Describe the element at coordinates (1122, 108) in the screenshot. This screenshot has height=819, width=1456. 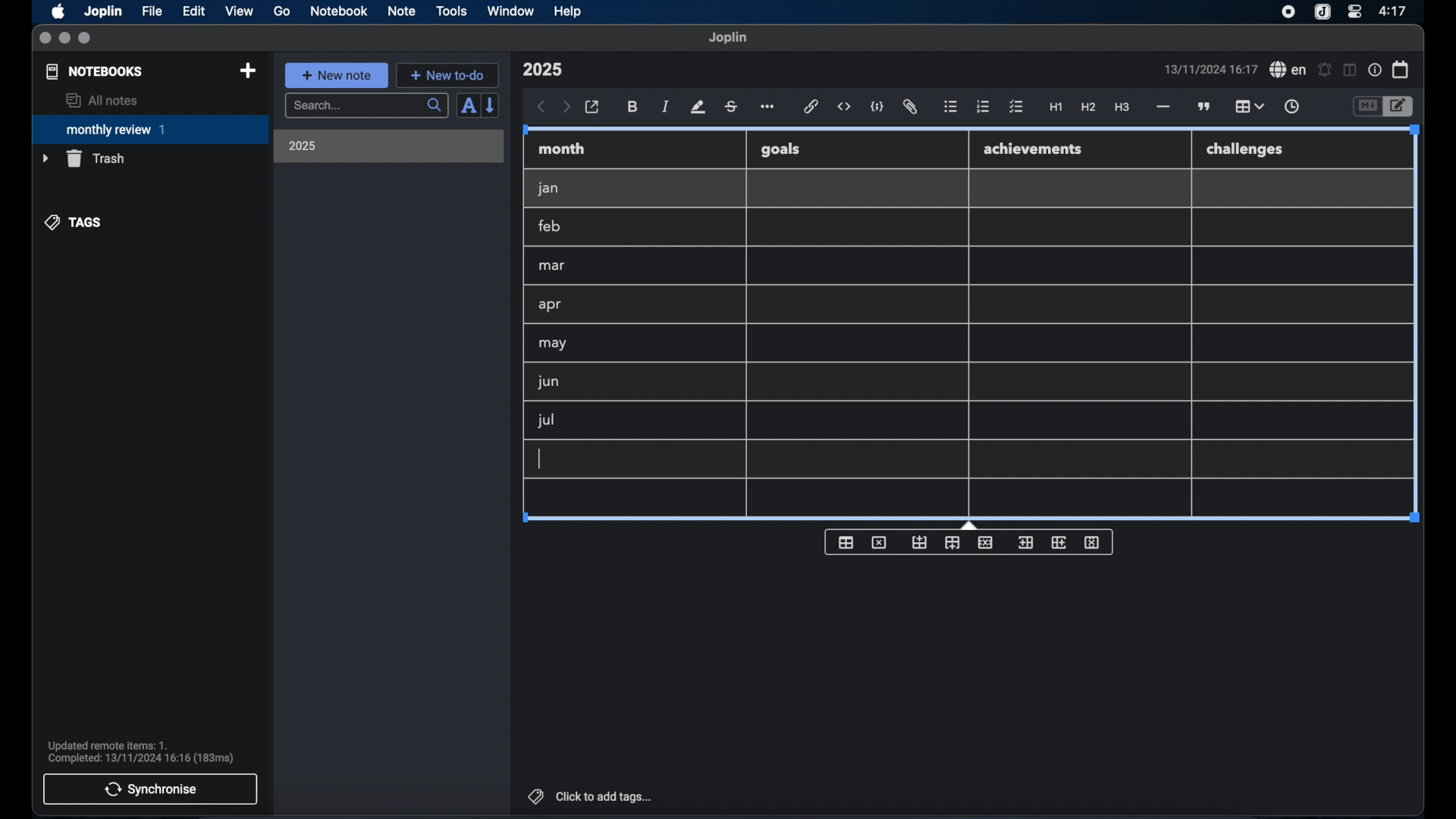
I see `heading 3` at that location.